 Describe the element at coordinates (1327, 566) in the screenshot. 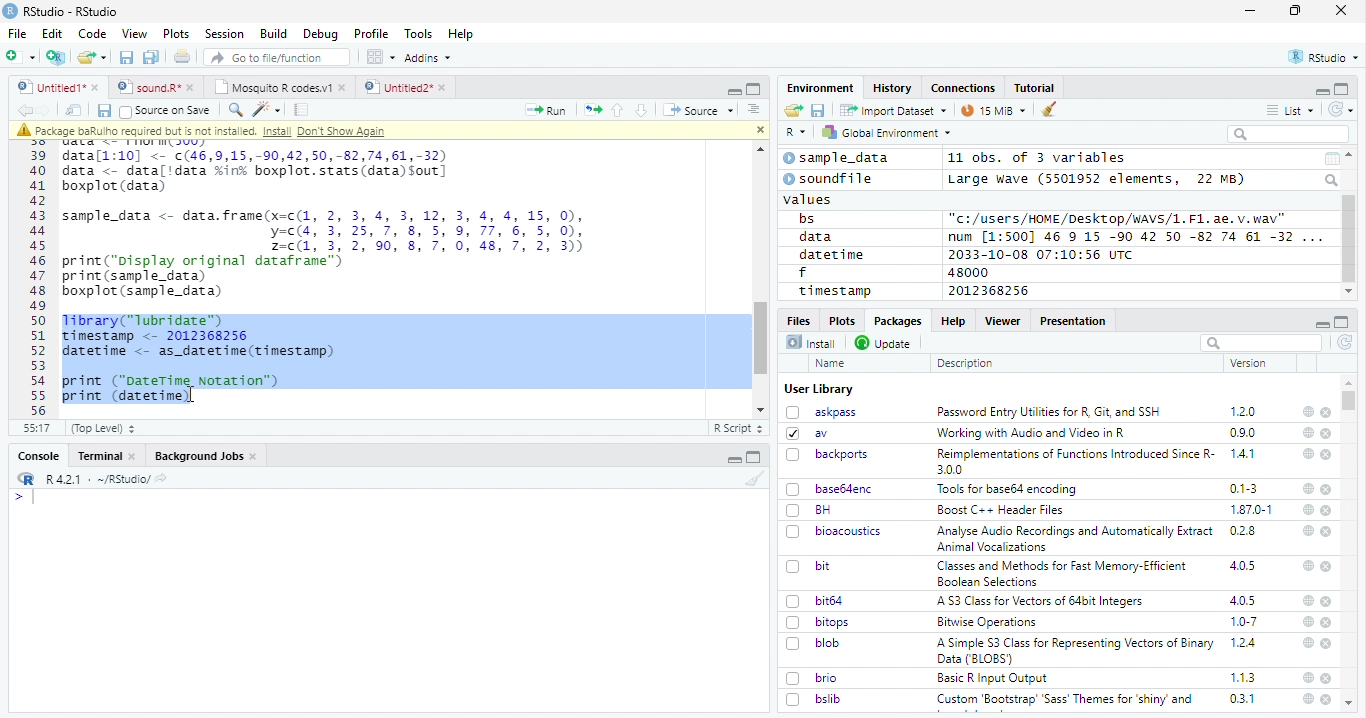

I see `close` at that location.